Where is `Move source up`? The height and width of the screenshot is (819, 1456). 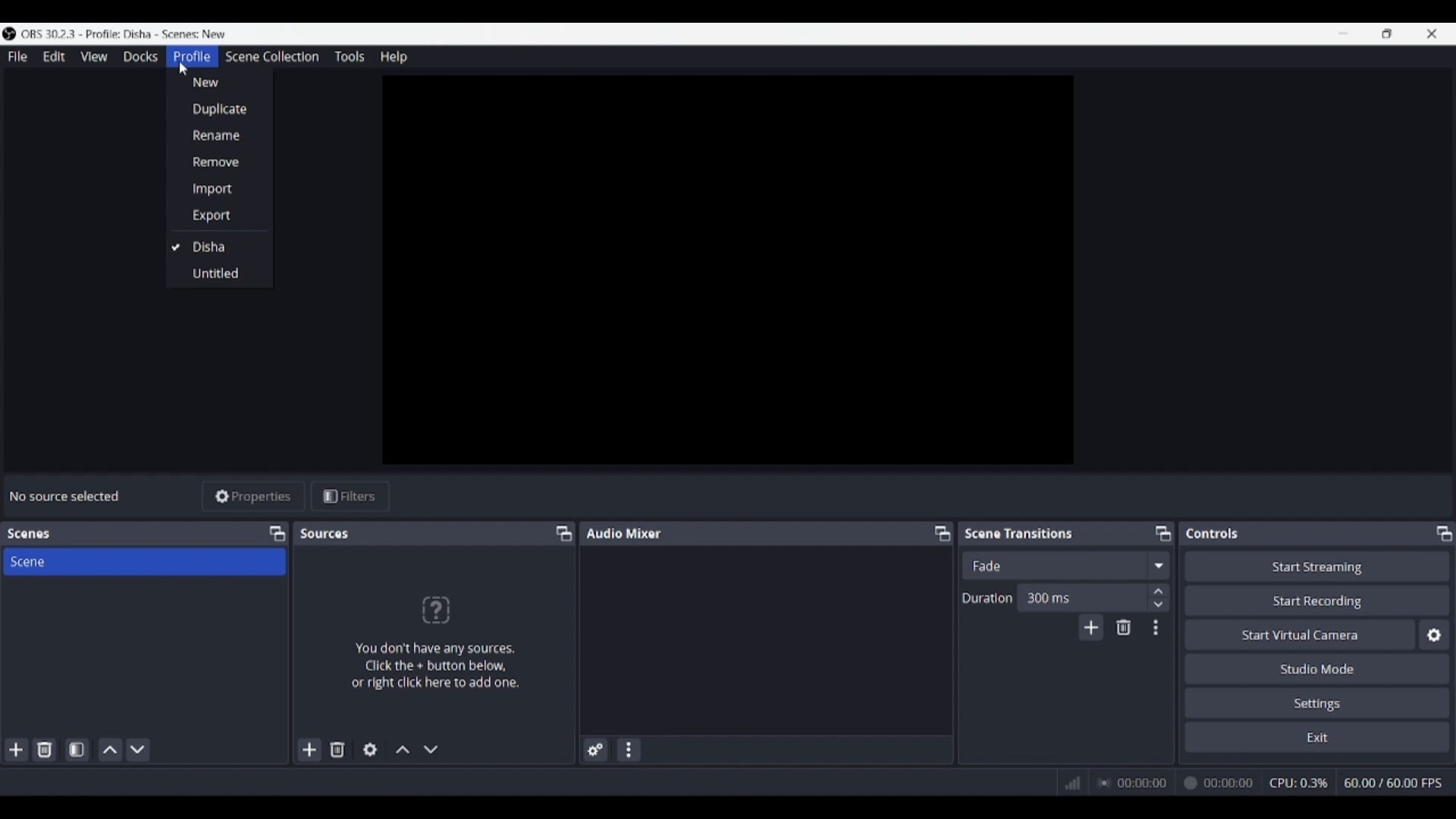
Move source up is located at coordinates (403, 749).